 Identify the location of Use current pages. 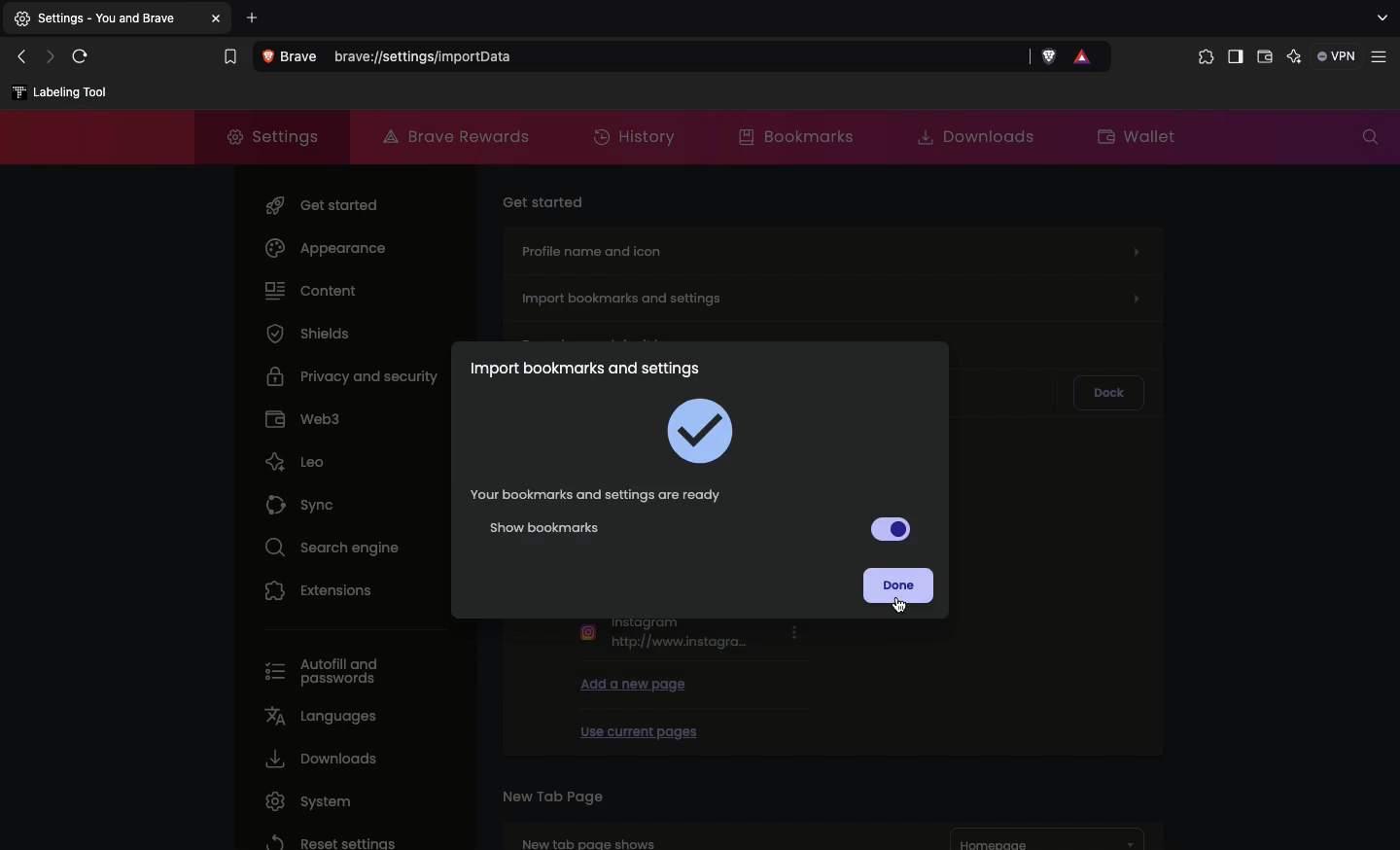
(638, 728).